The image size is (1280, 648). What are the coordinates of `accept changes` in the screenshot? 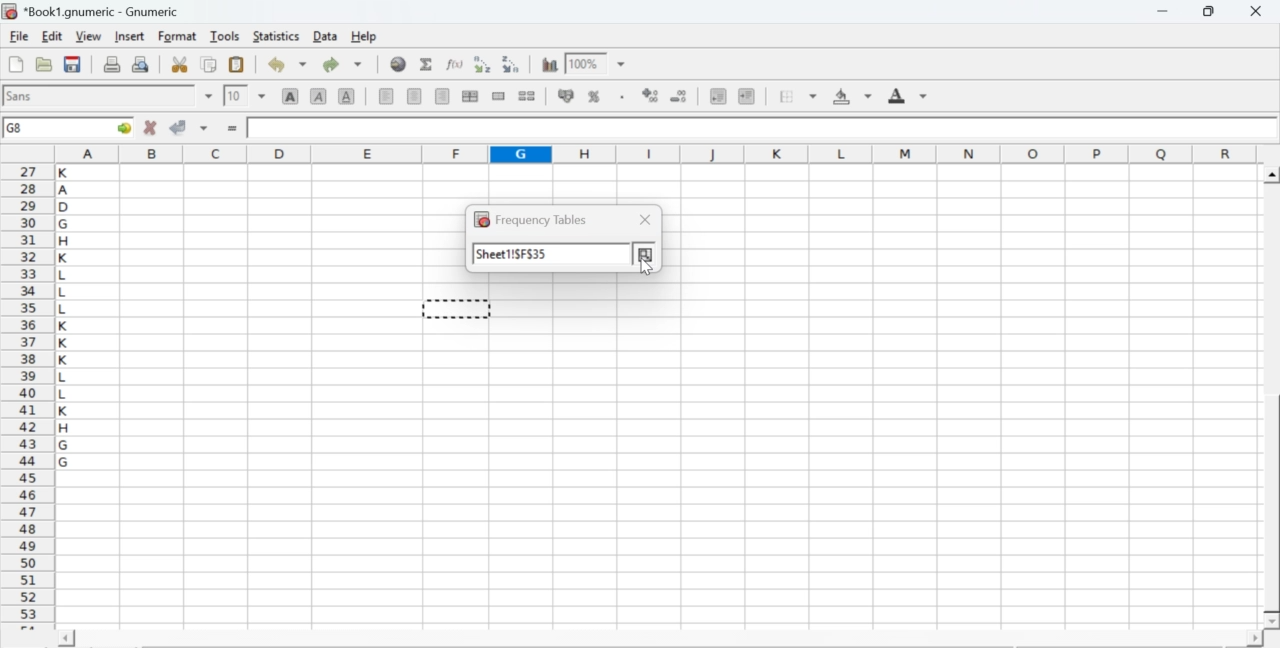 It's located at (179, 126).